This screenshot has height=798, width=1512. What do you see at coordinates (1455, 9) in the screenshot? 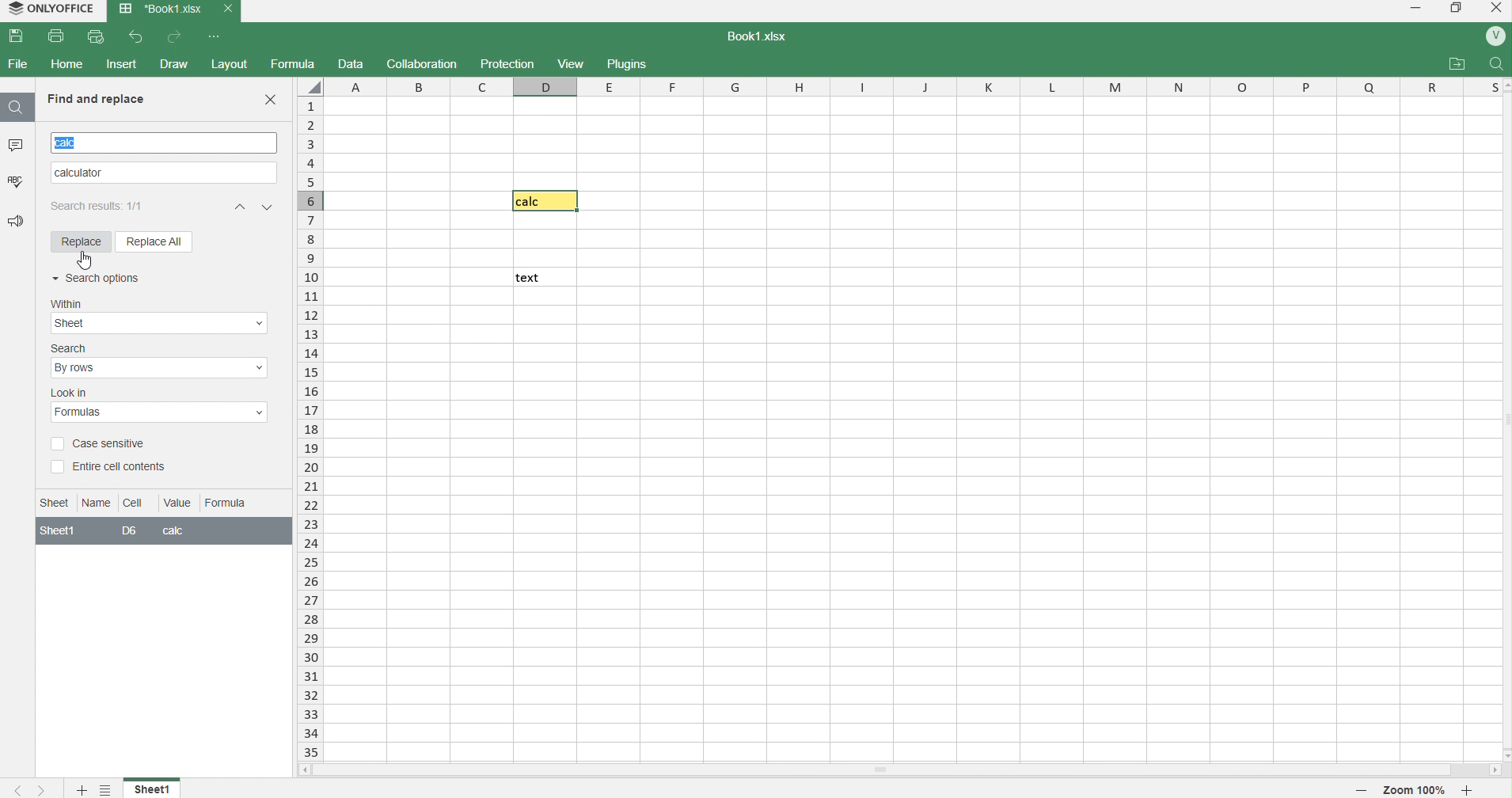
I see `windows` at bounding box center [1455, 9].